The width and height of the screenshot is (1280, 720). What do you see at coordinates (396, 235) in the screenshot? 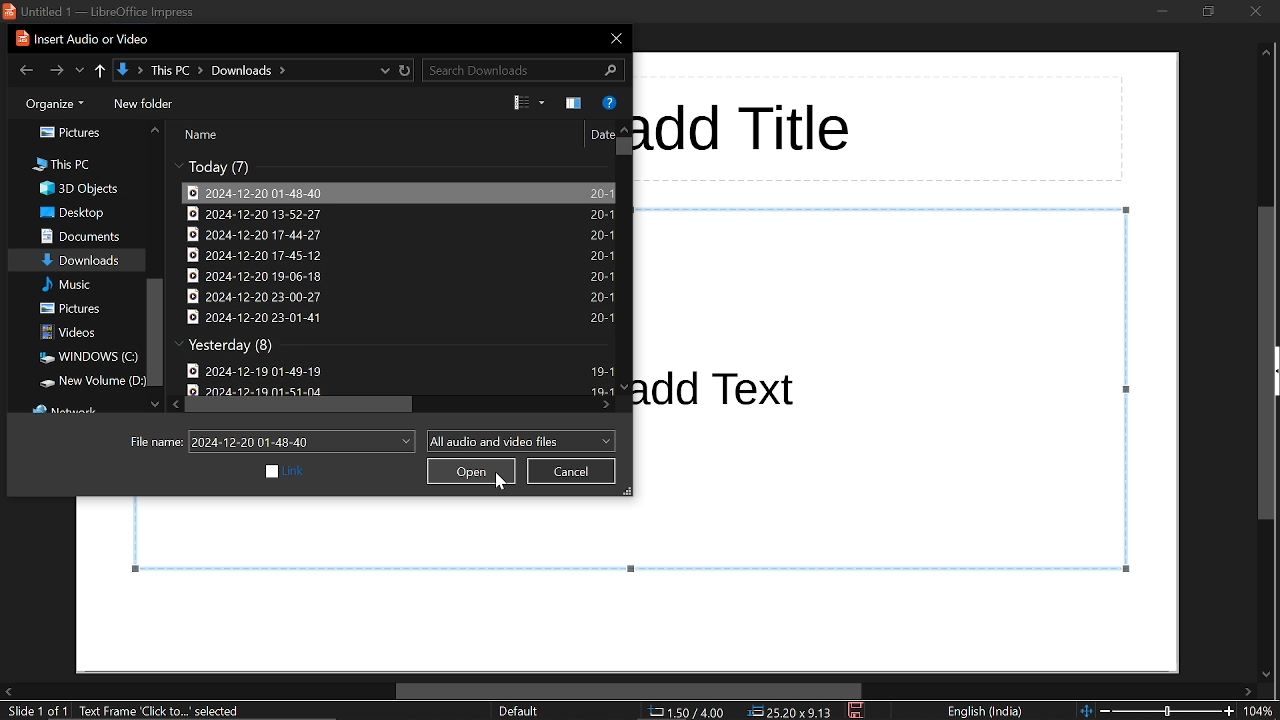
I see `file titled "2024-12-20 17-44-27"` at bounding box center [396, 235].